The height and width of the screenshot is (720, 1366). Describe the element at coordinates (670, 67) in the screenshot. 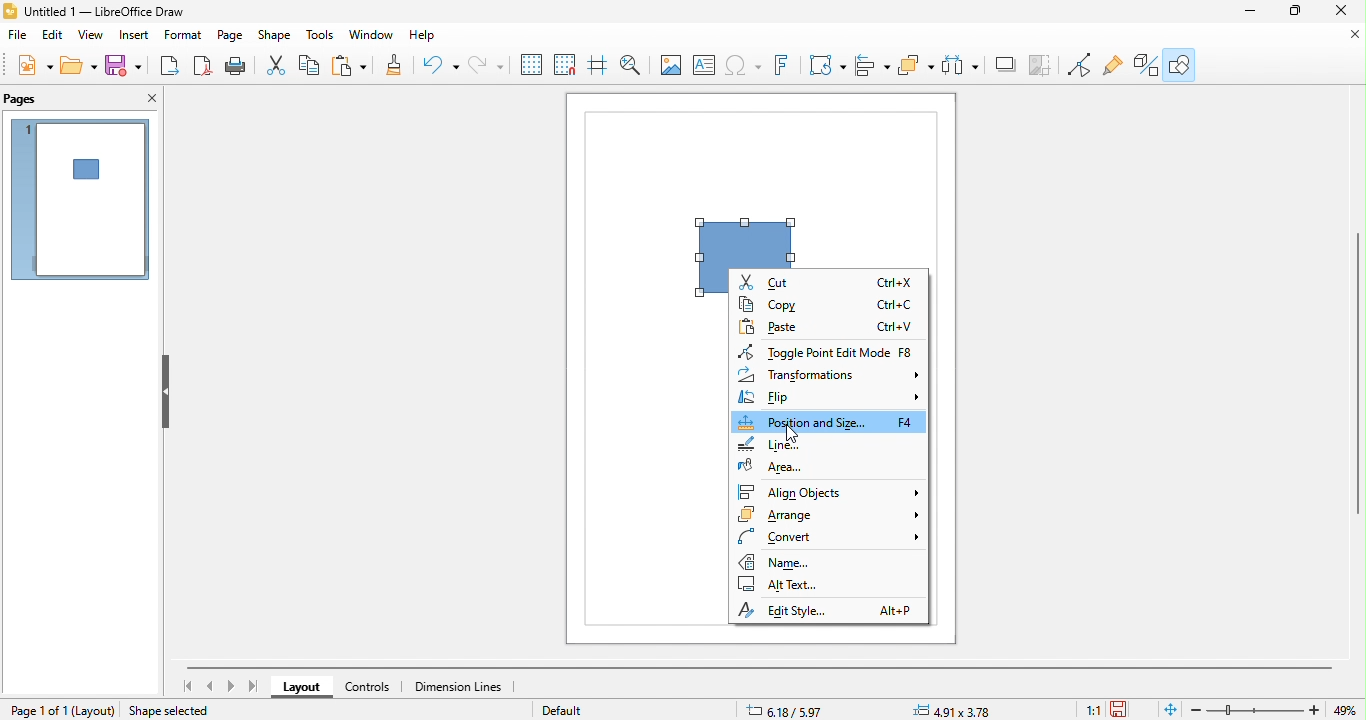

I see `image` at that location.